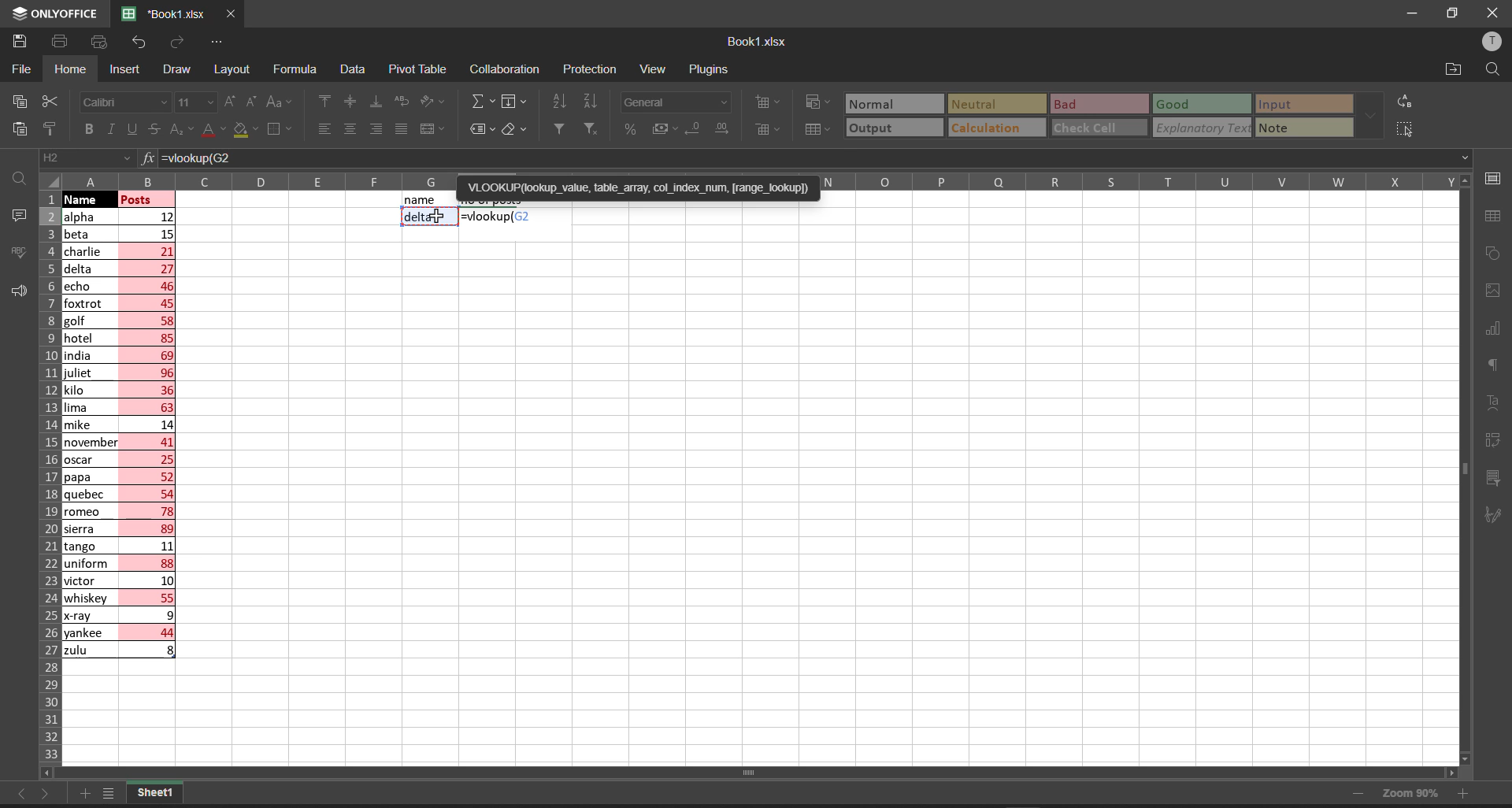 This screenshot has width=1512, height=808. What do you see at coordinates (1499, 329) in the screenshot?
I see `chart settings` at bounding box center [1499, 329].